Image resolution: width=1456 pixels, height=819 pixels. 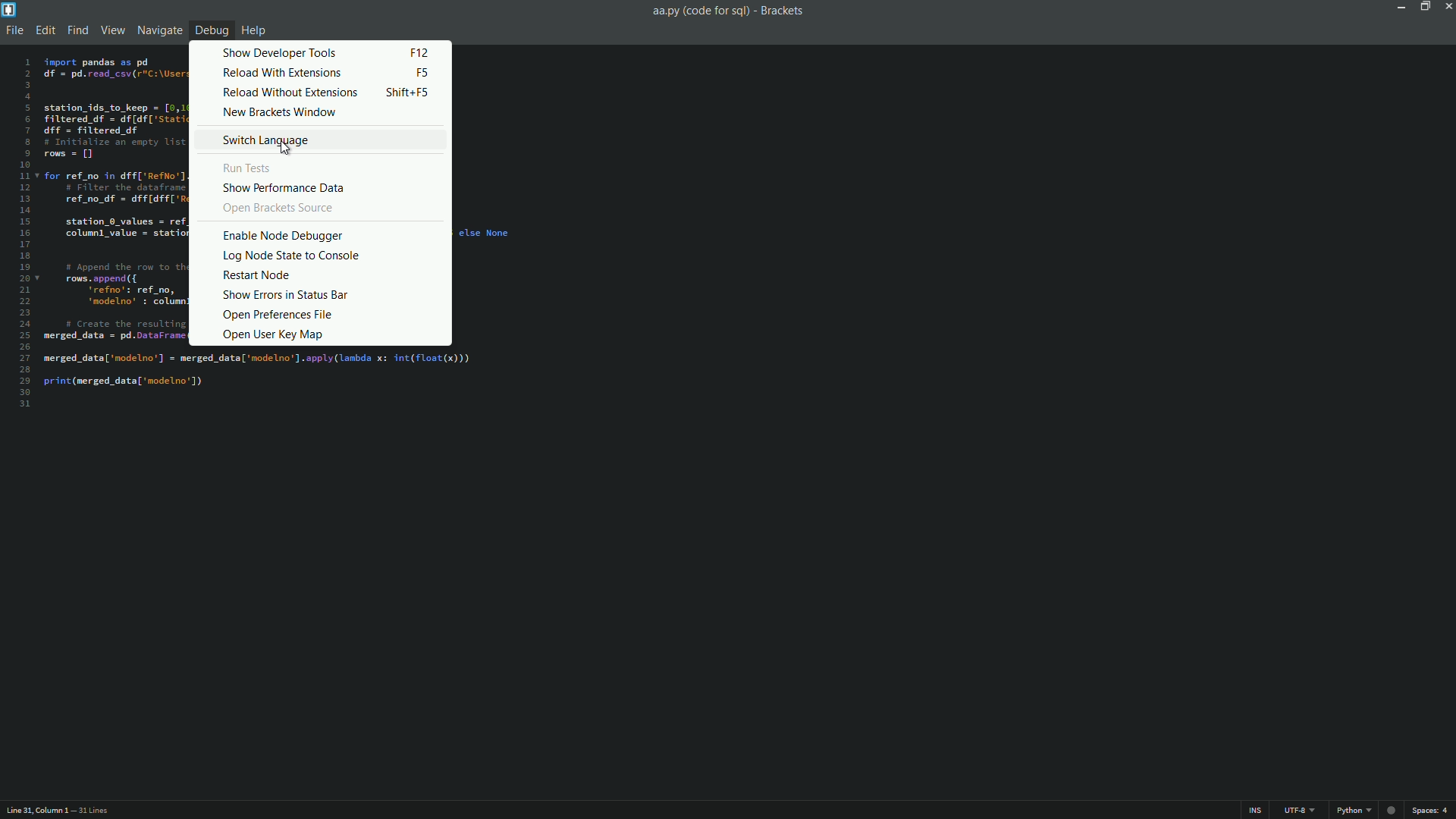 I want to click on debug menu, so click(x=212, y=30).